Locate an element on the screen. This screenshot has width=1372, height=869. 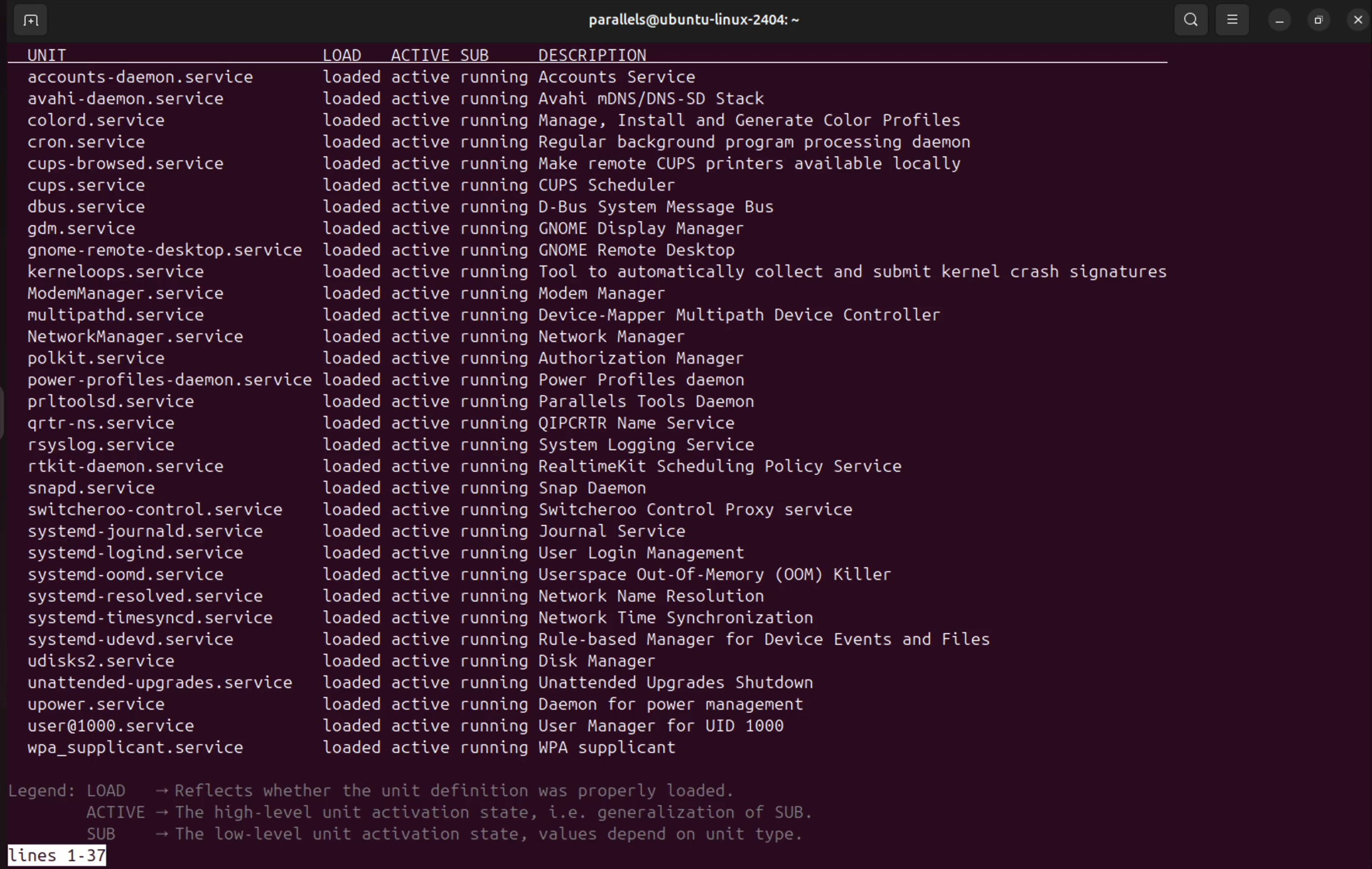
accounts-dameon service is located at coordinates (149, 76).